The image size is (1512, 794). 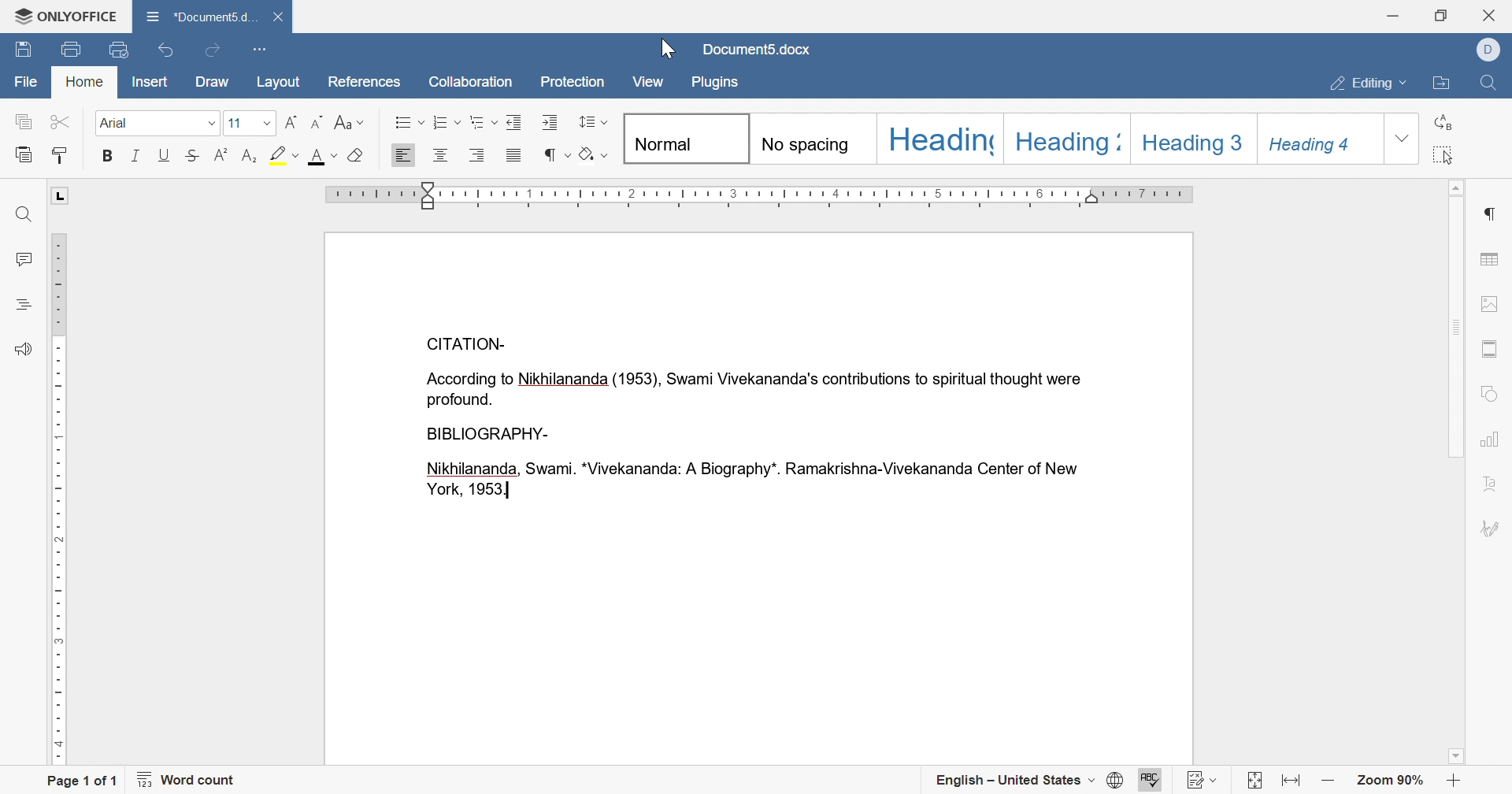 I want to click on bold, so click(x=110, y=155).